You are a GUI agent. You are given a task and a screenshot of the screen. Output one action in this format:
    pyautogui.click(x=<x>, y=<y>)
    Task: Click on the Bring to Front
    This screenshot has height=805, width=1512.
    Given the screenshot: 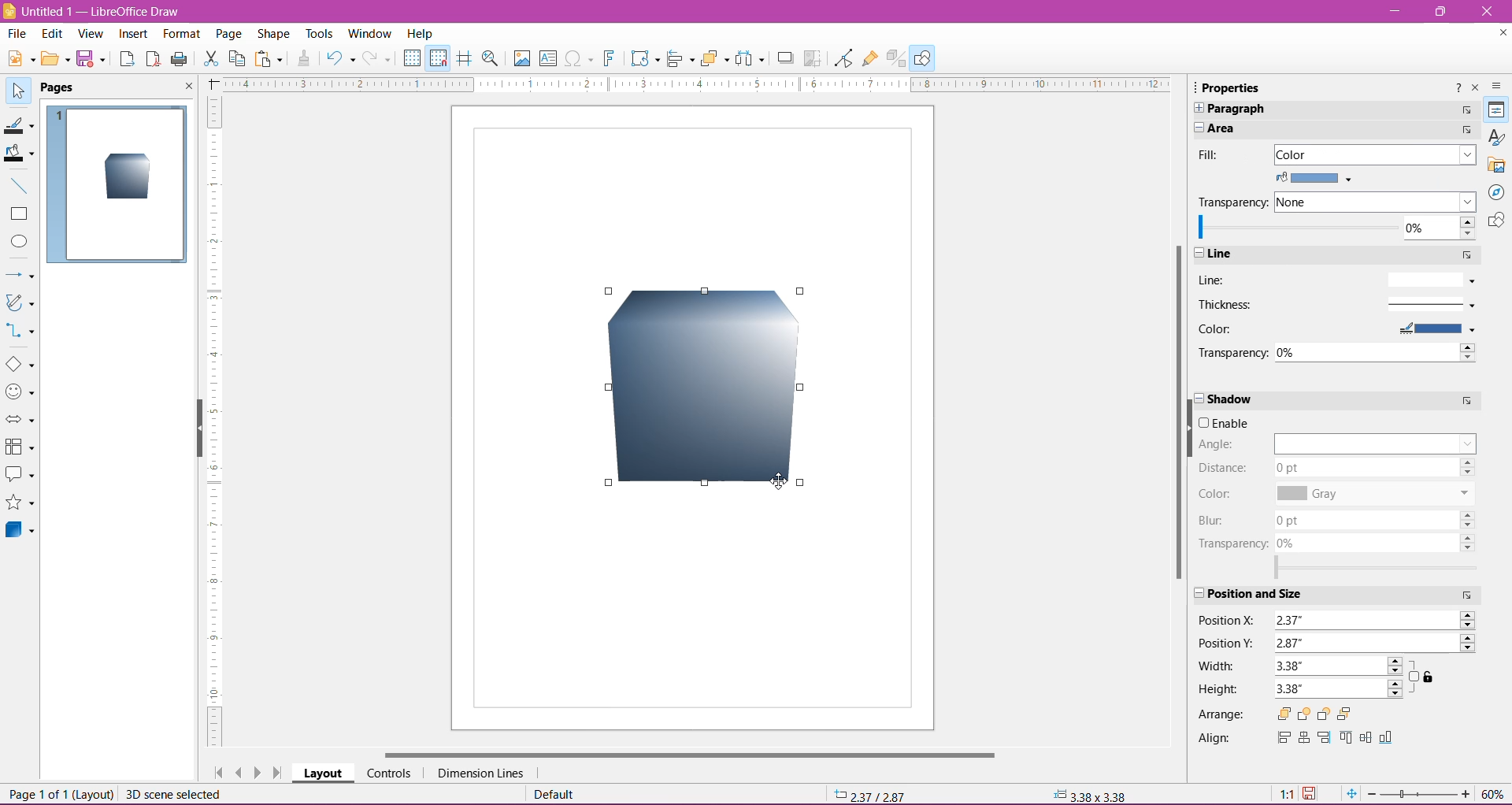 What is the action you would take?
    pyautogui.click(x=1285, y=714)
    